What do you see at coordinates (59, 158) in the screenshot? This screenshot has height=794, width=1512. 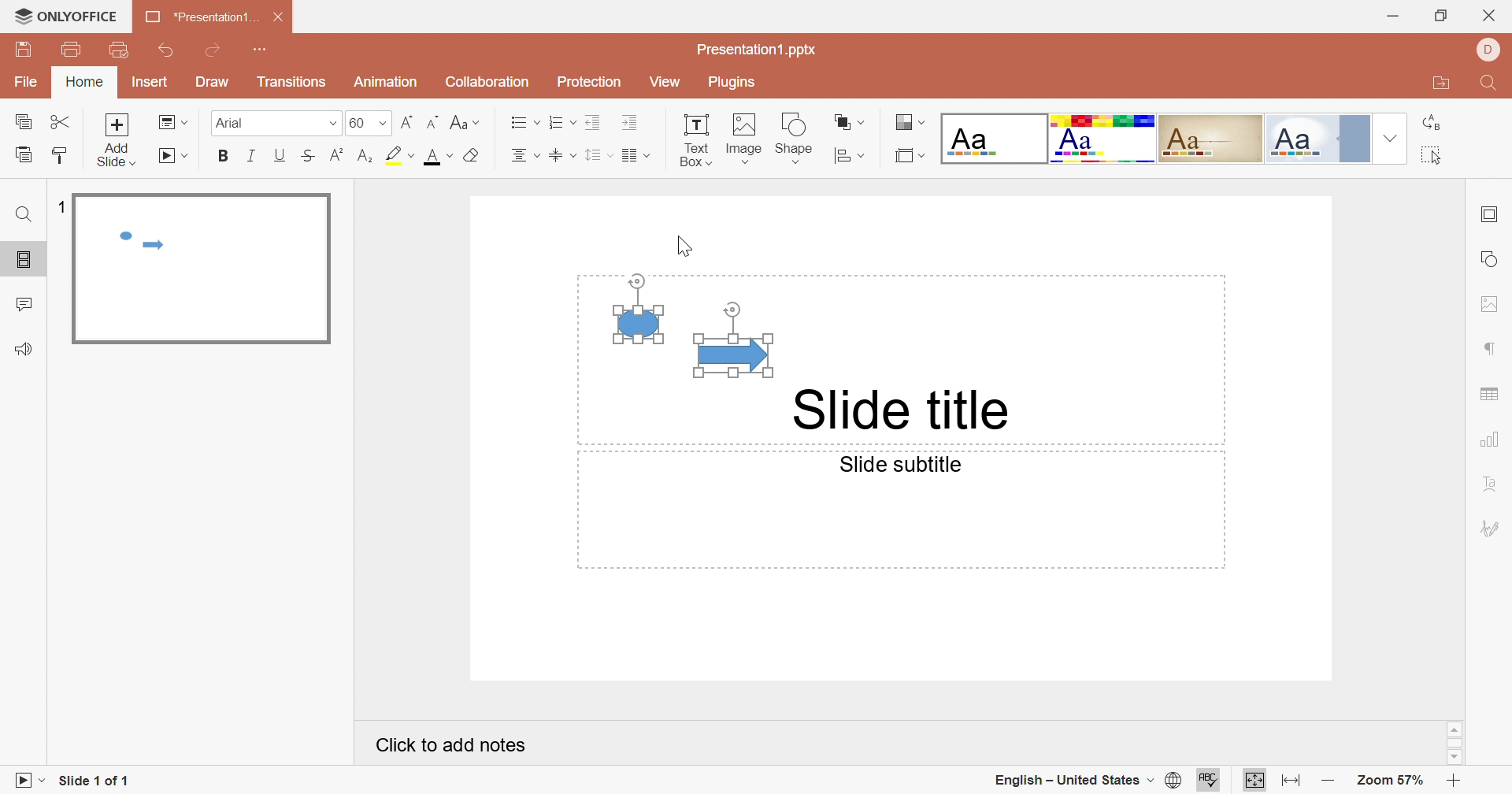 I see `Copy Style` at bounding box center [59, 158].